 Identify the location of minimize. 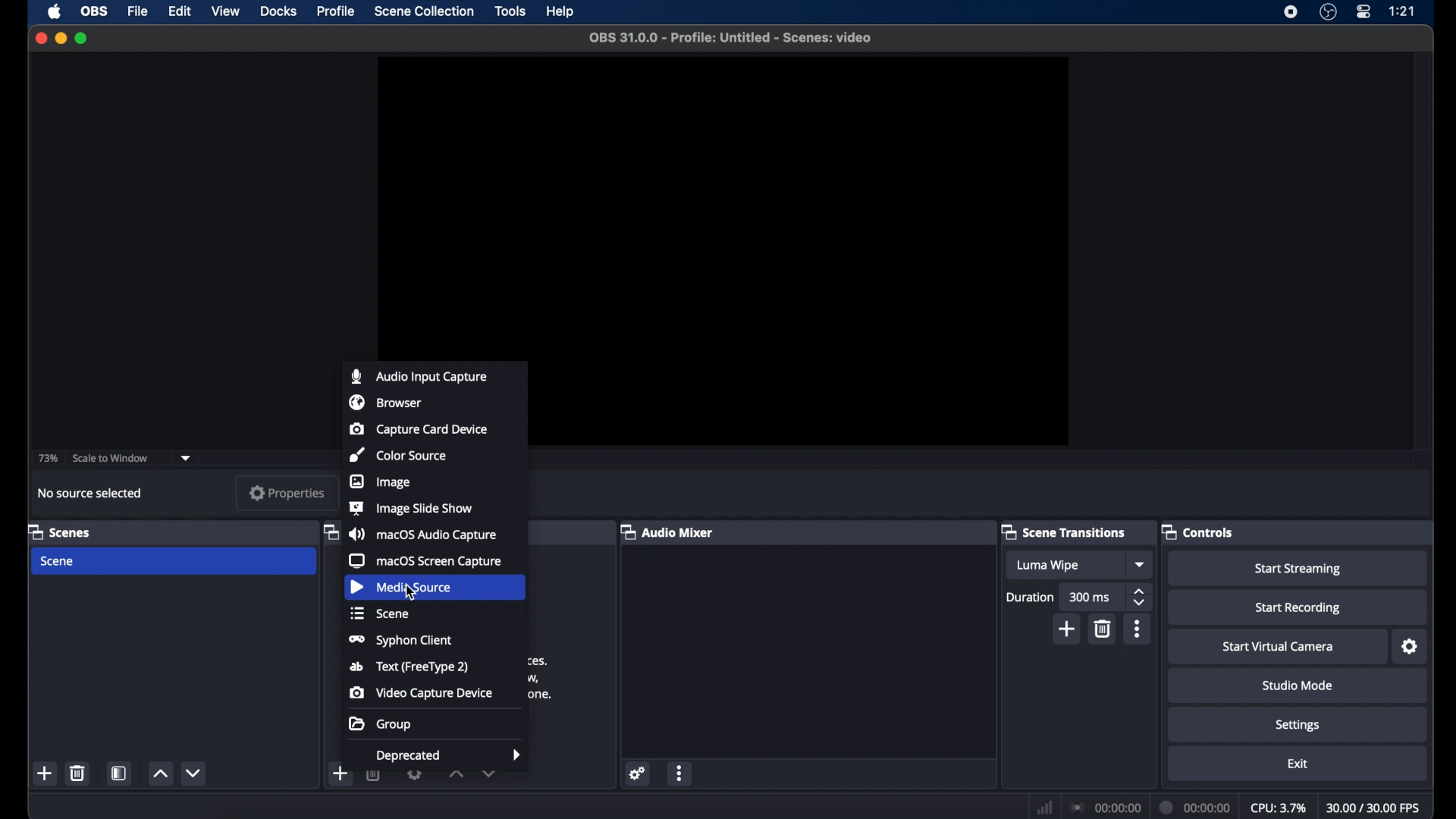
(60, 38).